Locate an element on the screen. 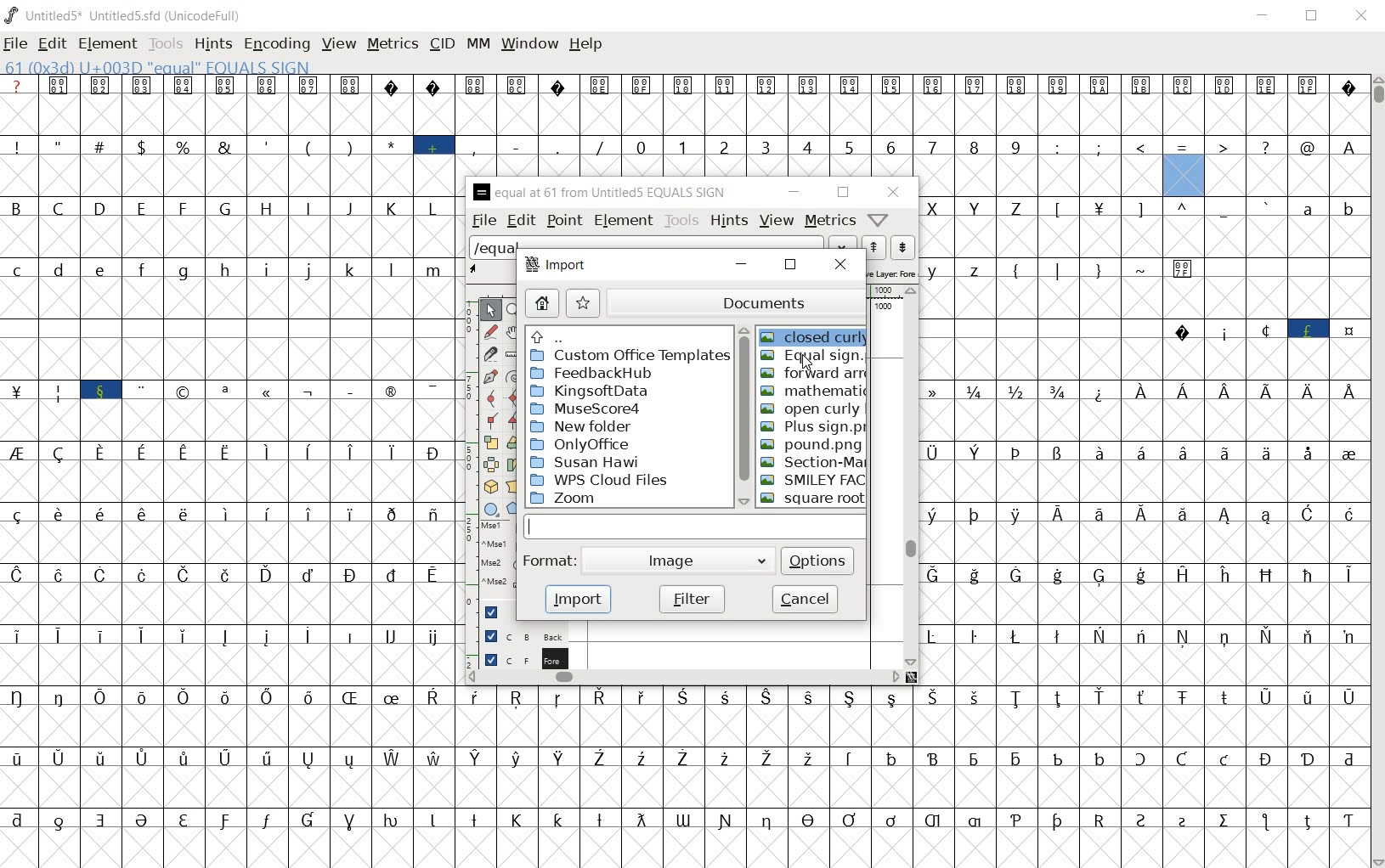 The width and height of the screenshot is (1385, 868). 61(0x3d) U+003D "EQUAL" EQUALS SIGN is located at coordinates (158, 68).